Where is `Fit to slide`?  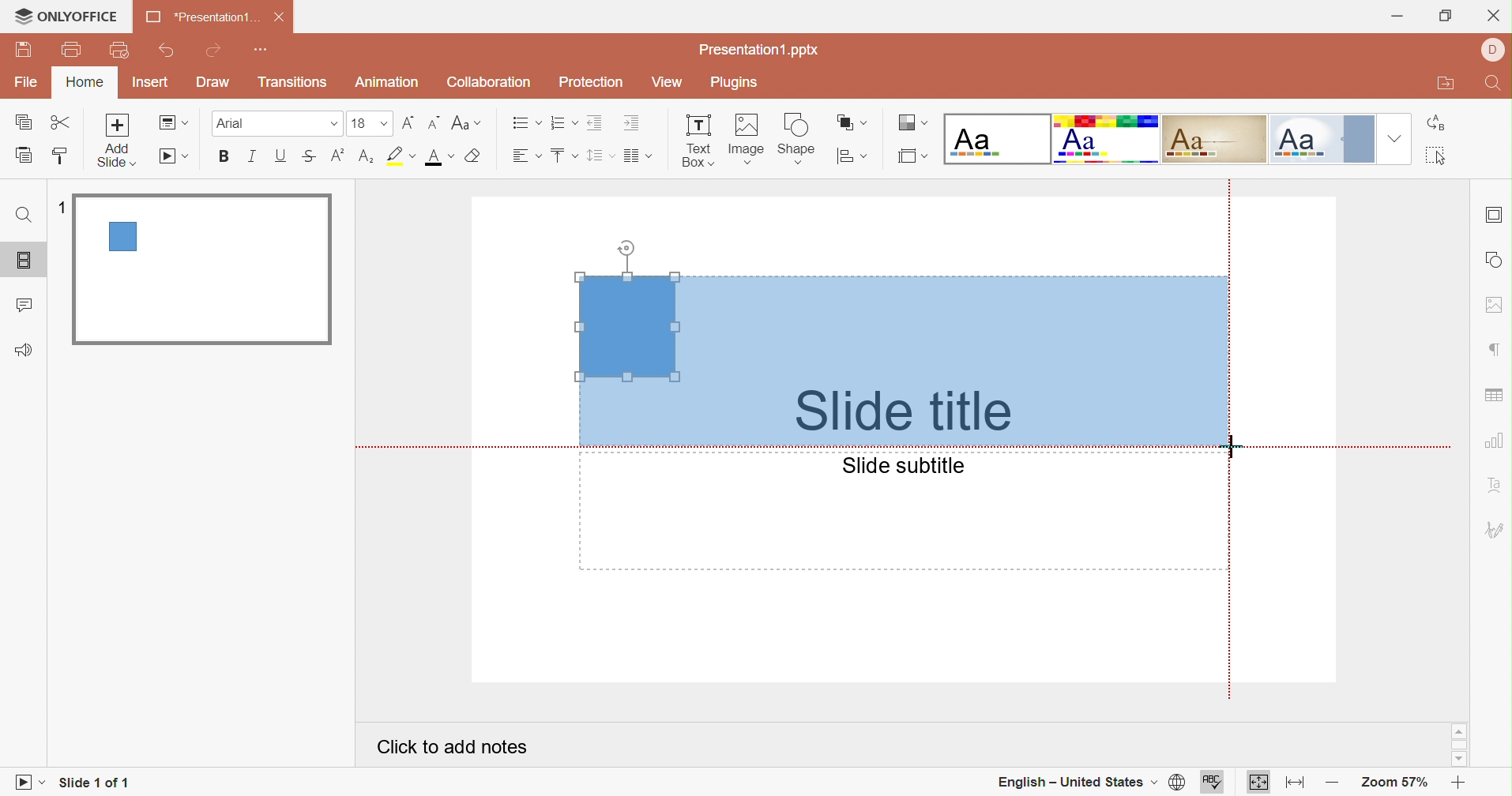 Fit to slide is located at coordinates (1260, 785).